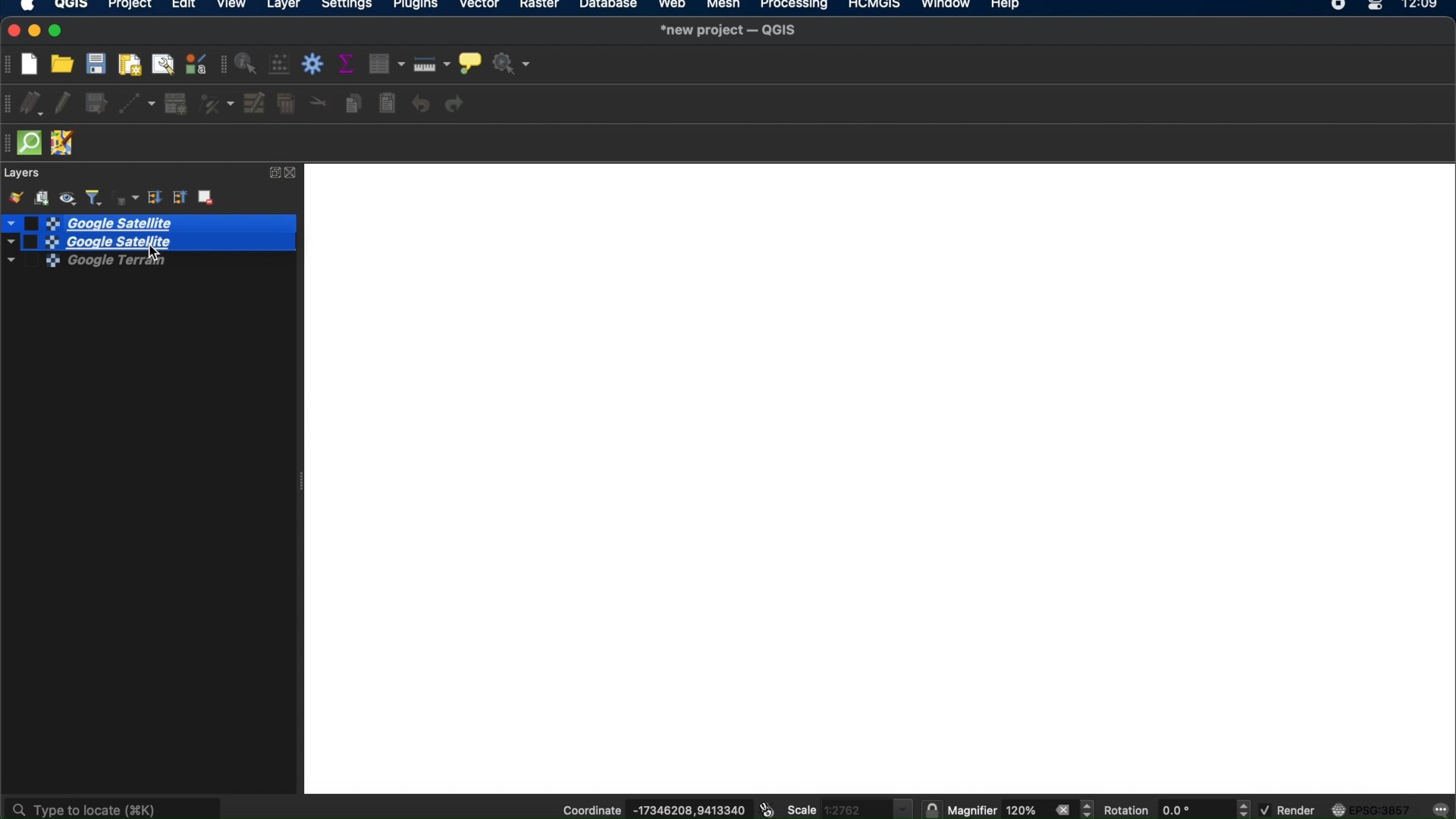 The height and width of the screenshot is (819, 1456). I want to click on scale 1.2762, so click(849, 807).